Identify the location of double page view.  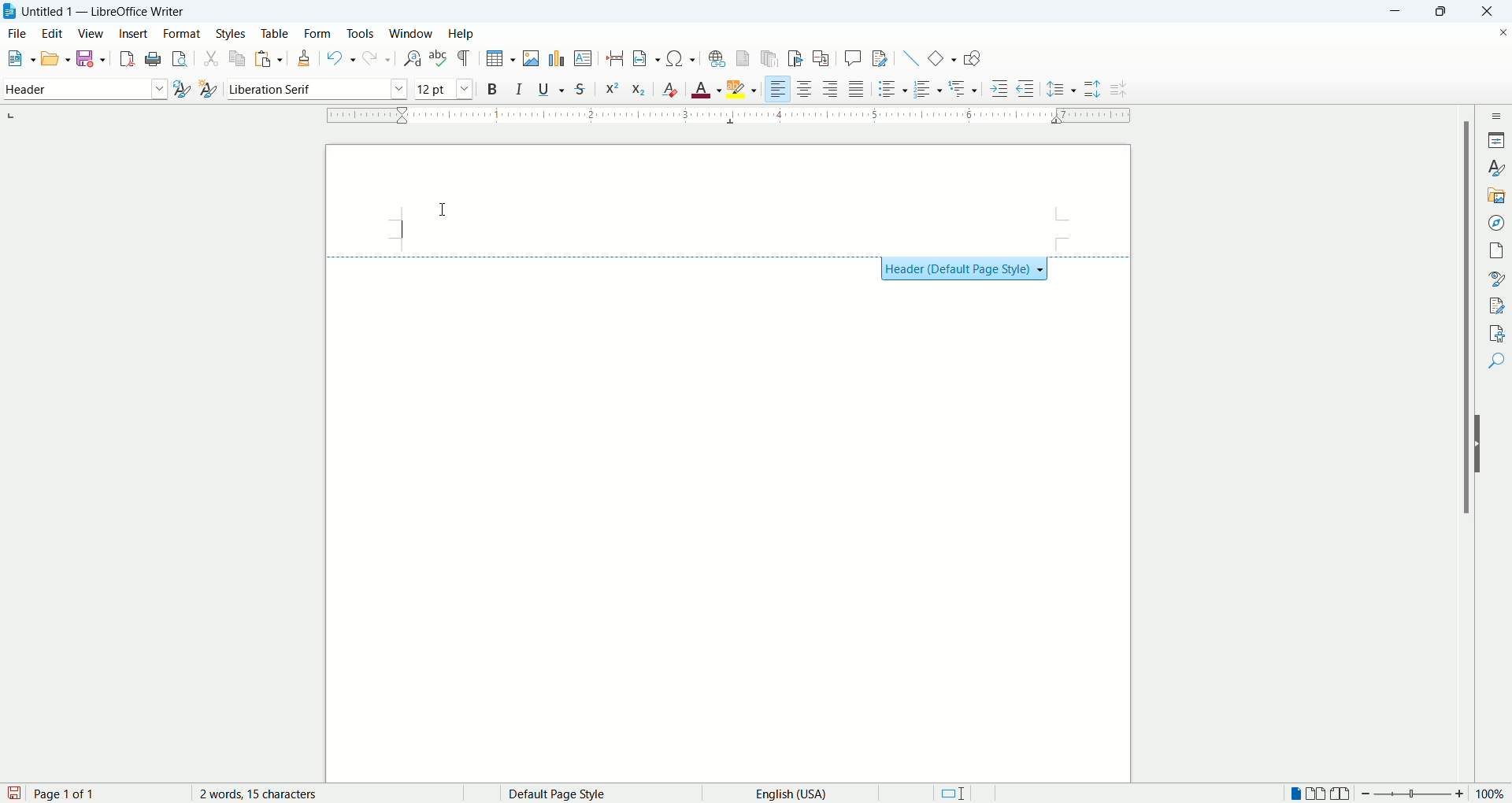
(1314, 794).